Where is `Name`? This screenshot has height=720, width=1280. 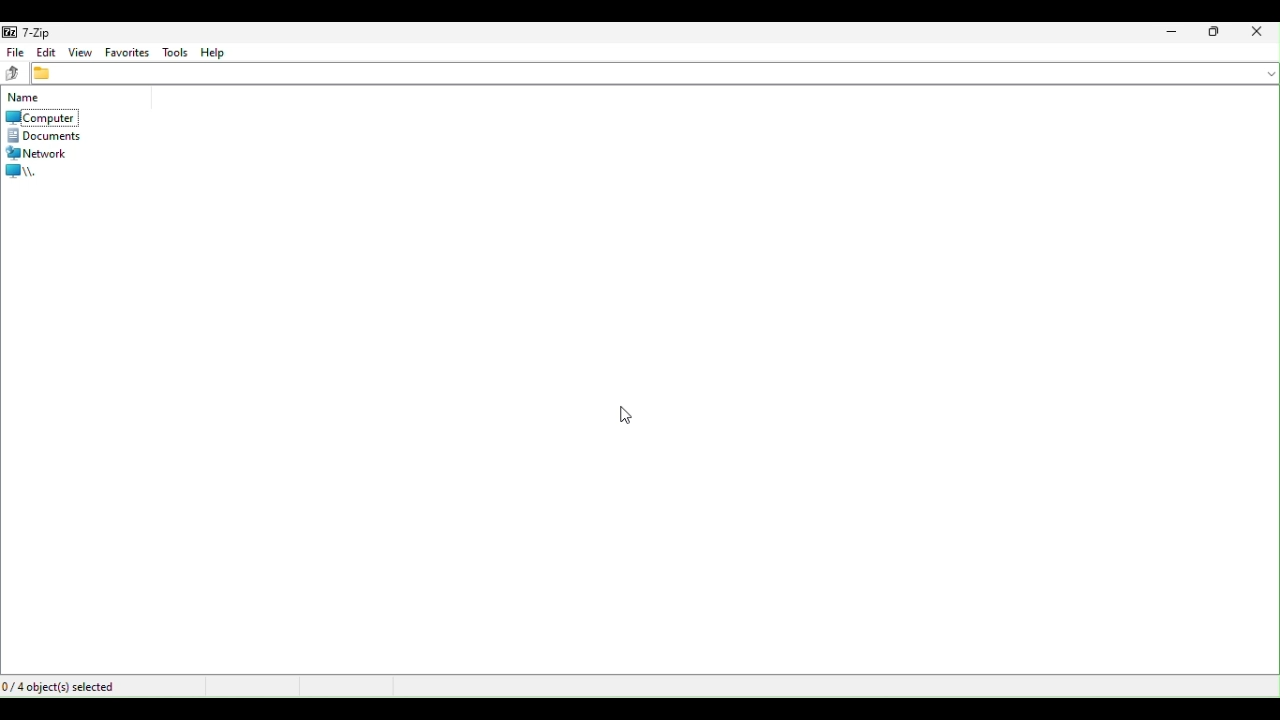 Name is located at coordinates (26, 99).